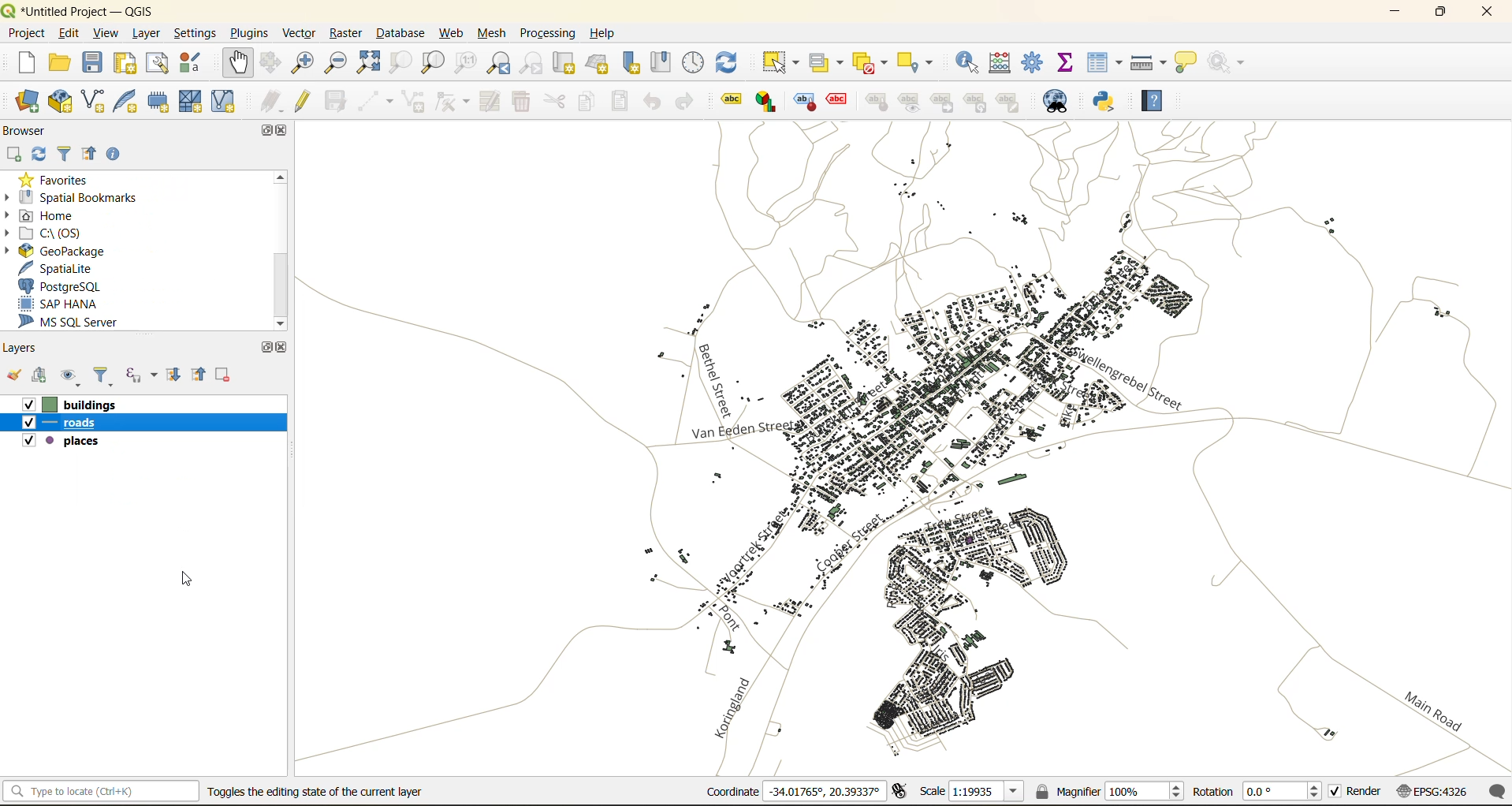 This screenshot has height=806, width=1512. I want to click on log messages, so click(1495, 792).